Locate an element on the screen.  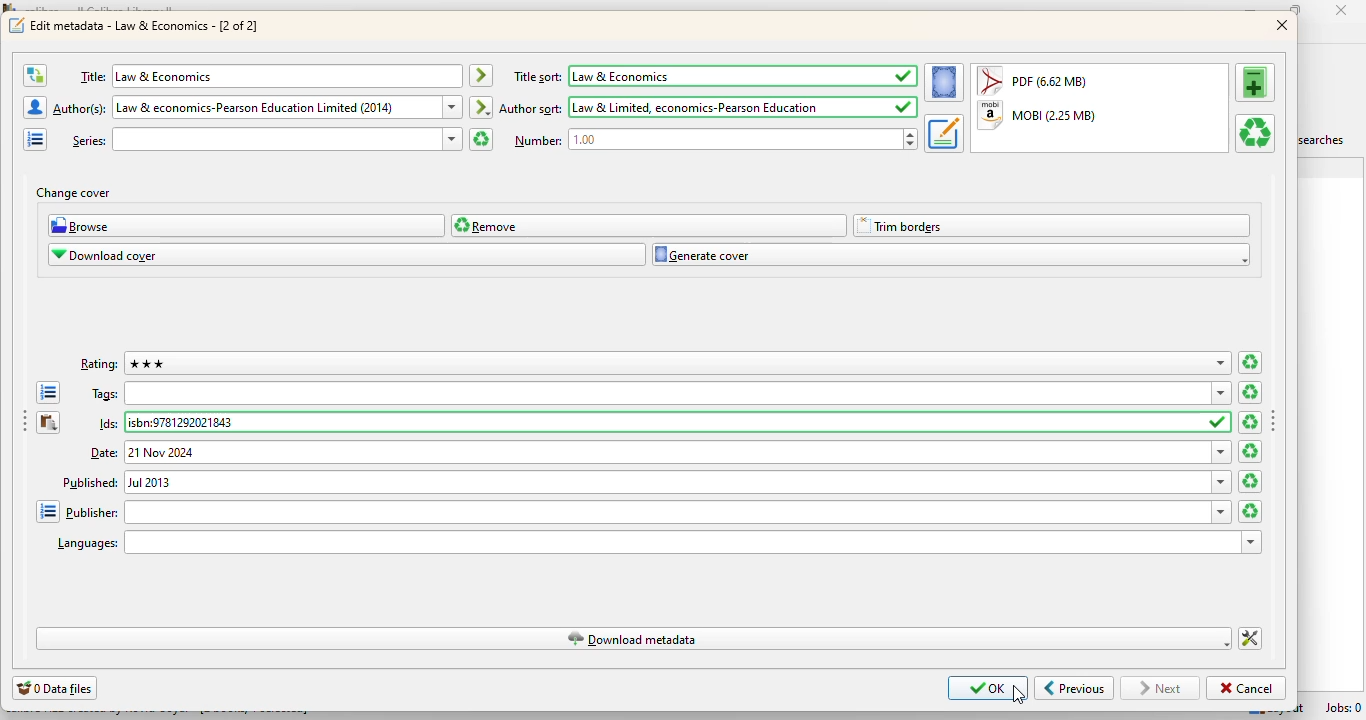
Ids:  is located at coordinates (662, 422).